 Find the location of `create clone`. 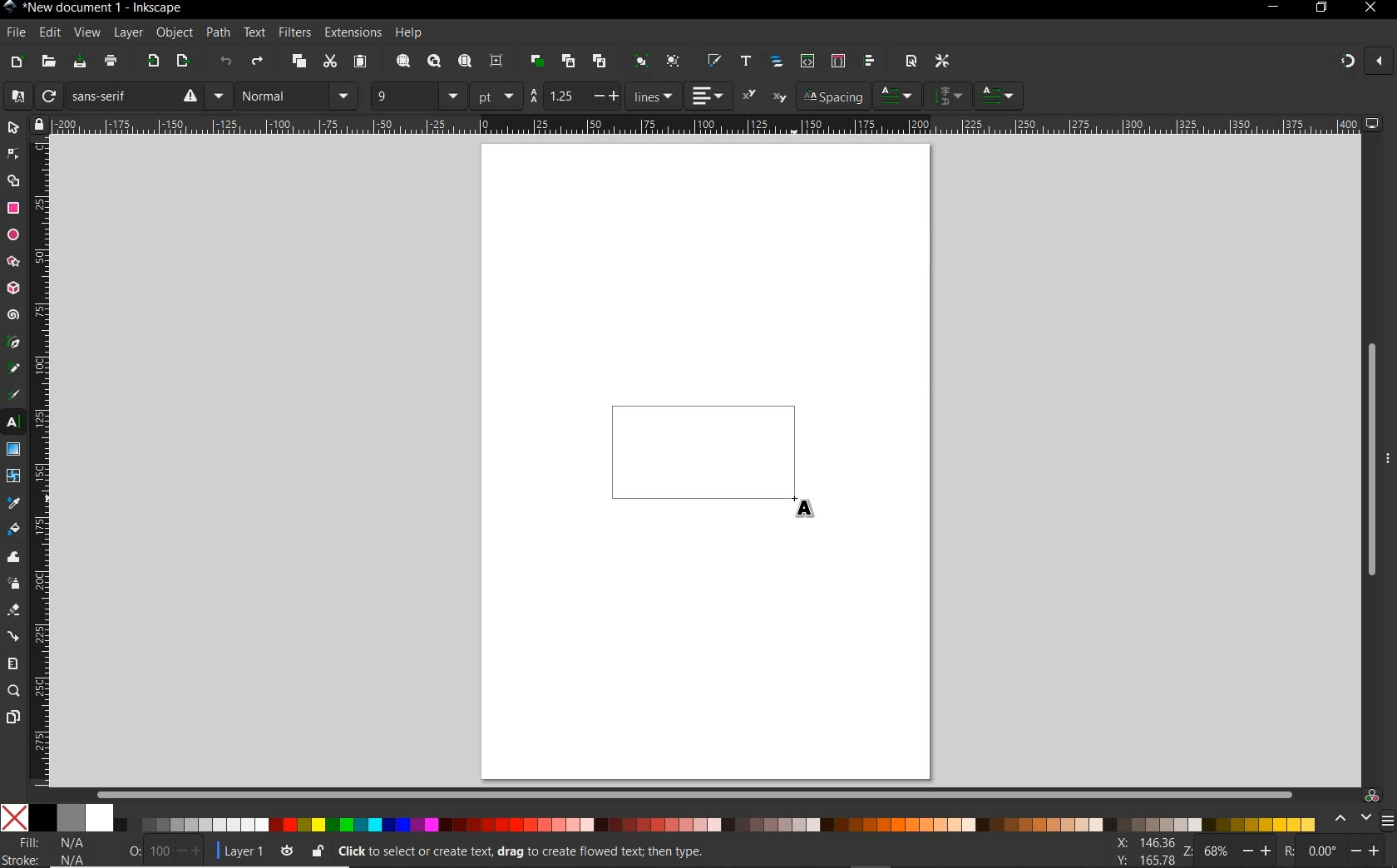

create clone is located at coordinates (566, 62).